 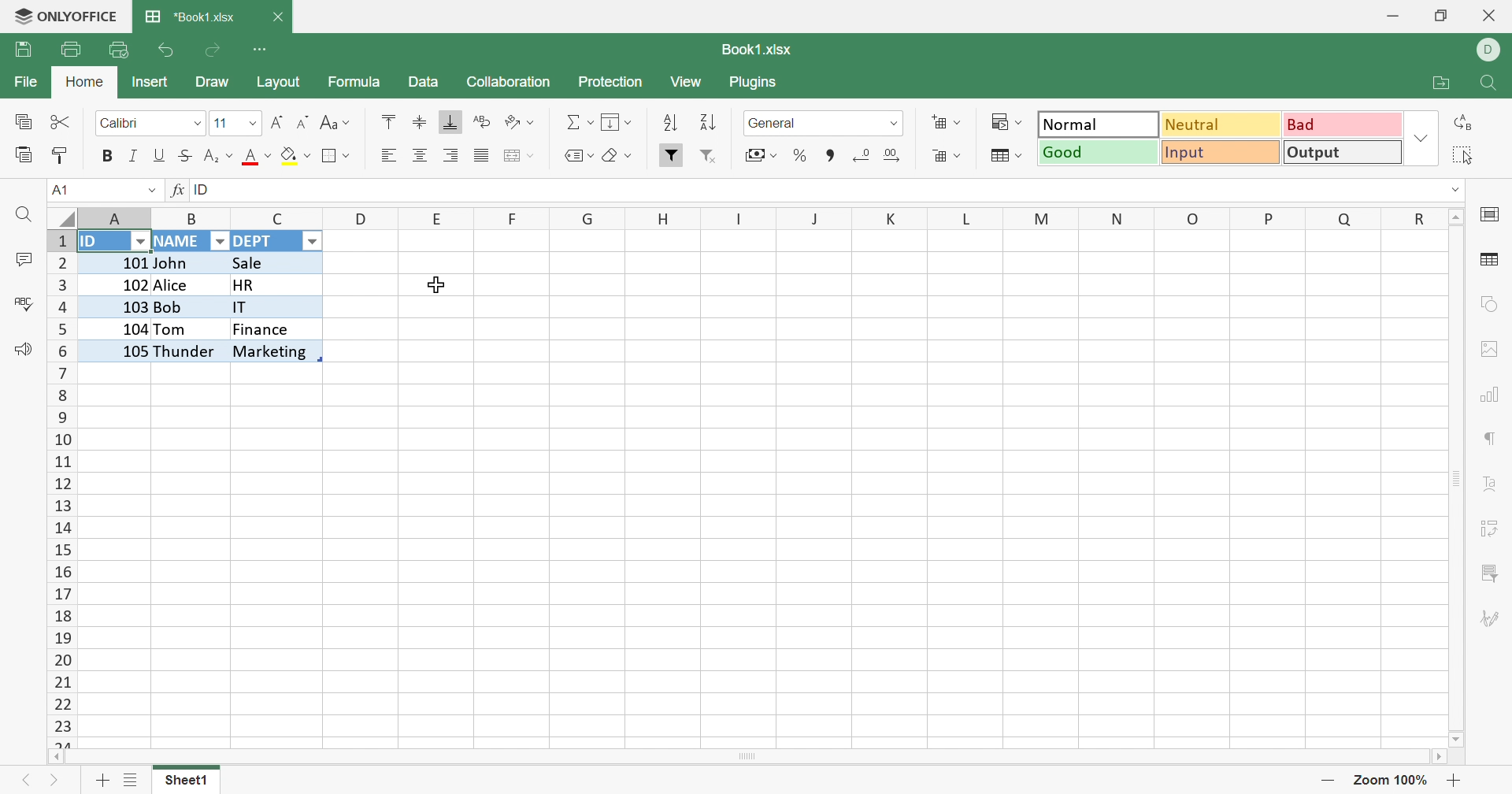 What do you see at coordinates (114, 327) in the screenshot?
I see `104` at bounding box center [114, 327].